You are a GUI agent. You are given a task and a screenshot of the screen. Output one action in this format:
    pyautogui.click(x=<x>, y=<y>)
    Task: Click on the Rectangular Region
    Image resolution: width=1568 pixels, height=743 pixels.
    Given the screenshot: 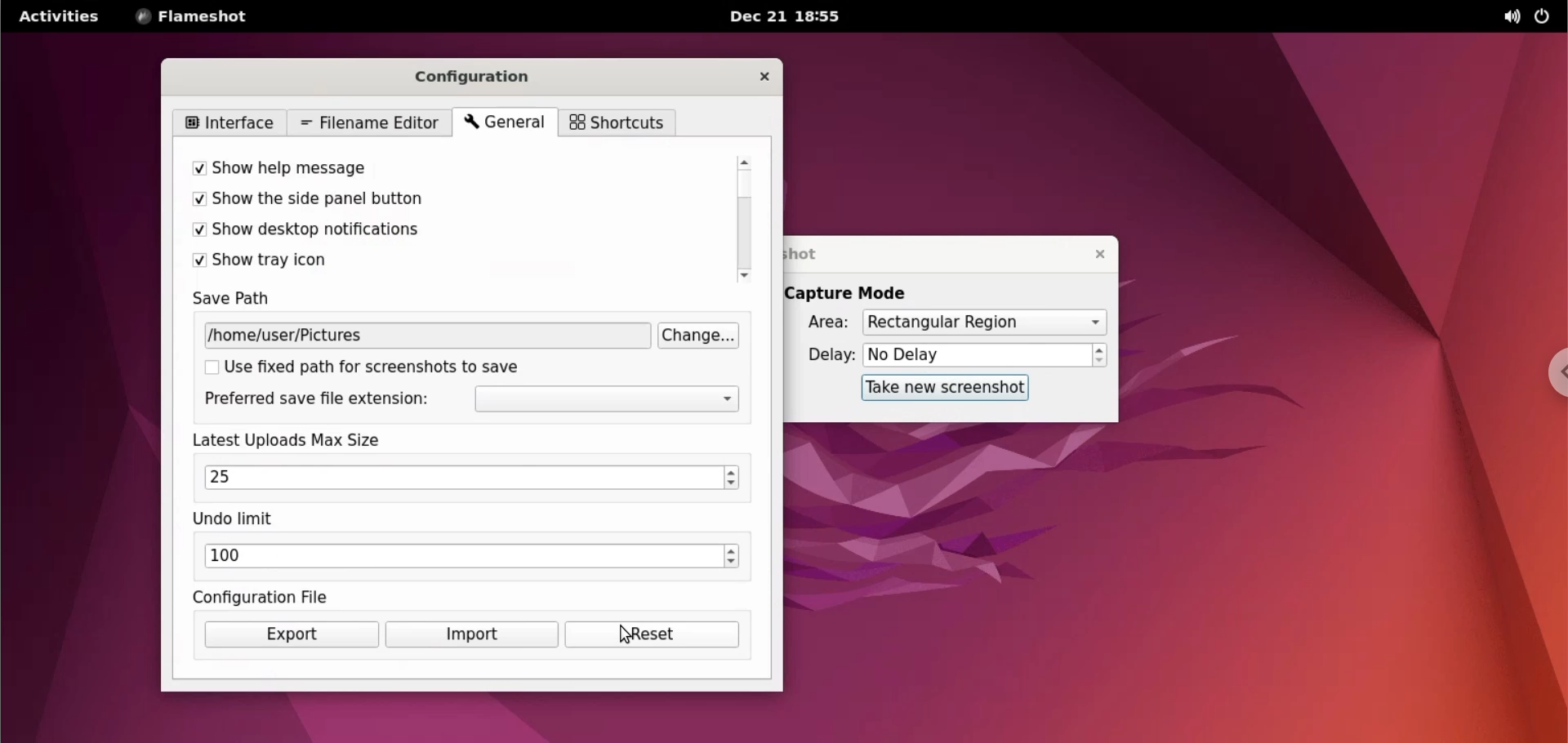 What is the action you would take?
    pyautogui.click(x=982, y=323)
    